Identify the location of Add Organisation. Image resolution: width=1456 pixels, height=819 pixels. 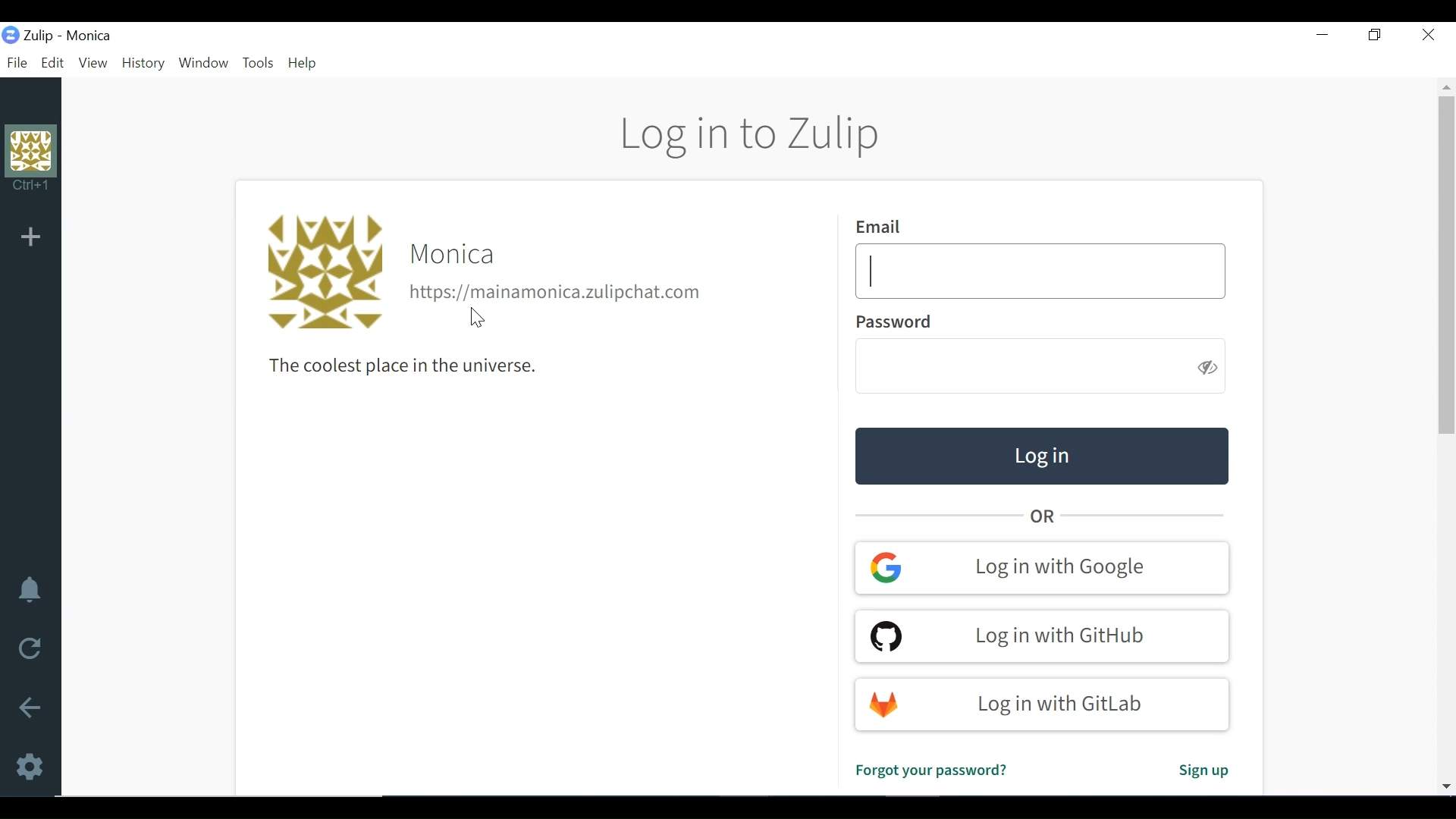
(30, 237).